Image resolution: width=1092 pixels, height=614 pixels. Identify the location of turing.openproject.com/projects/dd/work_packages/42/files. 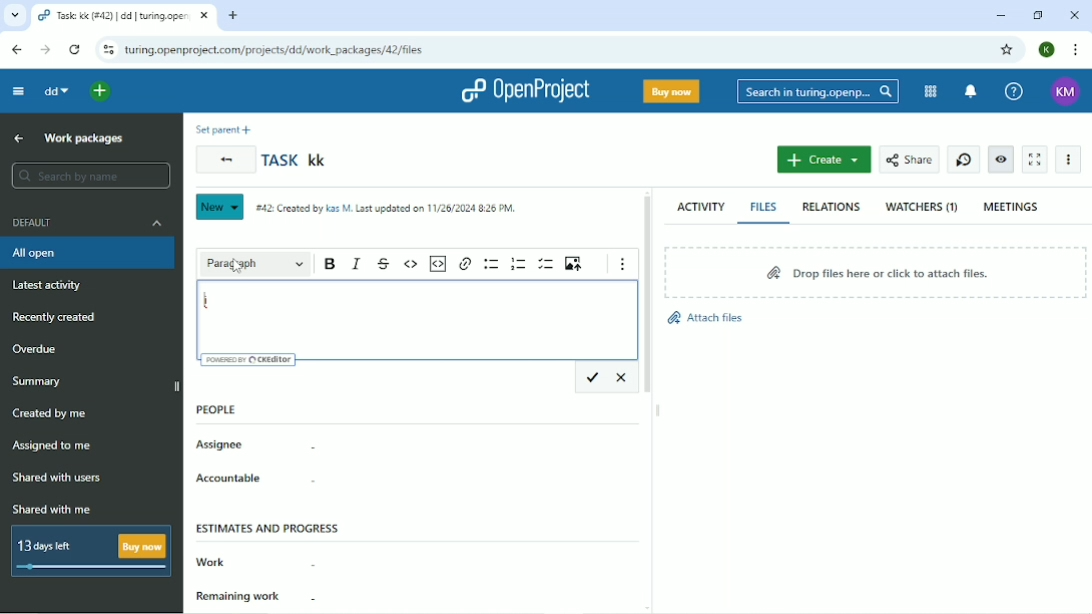
(275, 49).